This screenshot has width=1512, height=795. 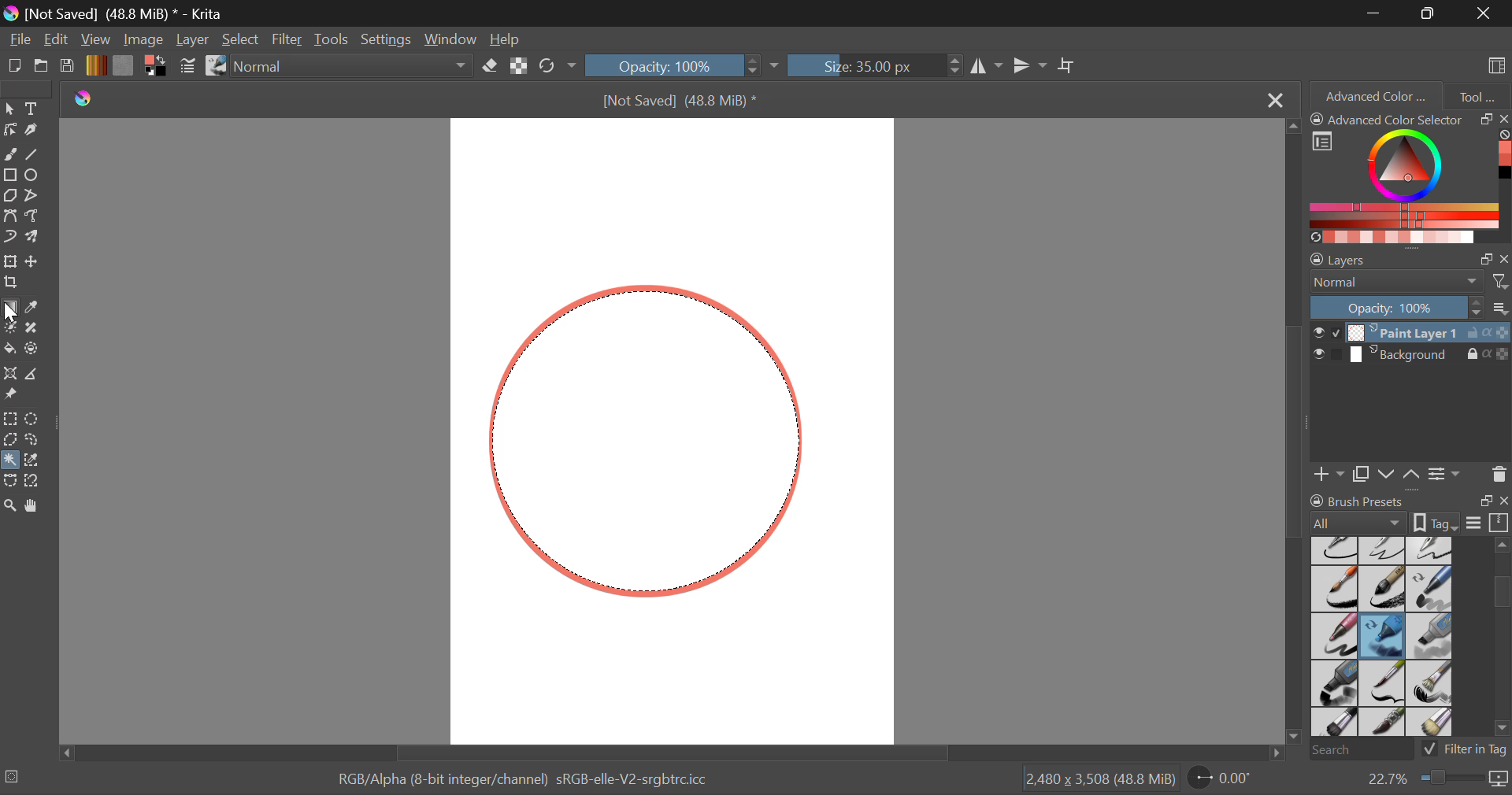 I want to click on Freehand Path Tool, so click(x=32, y=215).